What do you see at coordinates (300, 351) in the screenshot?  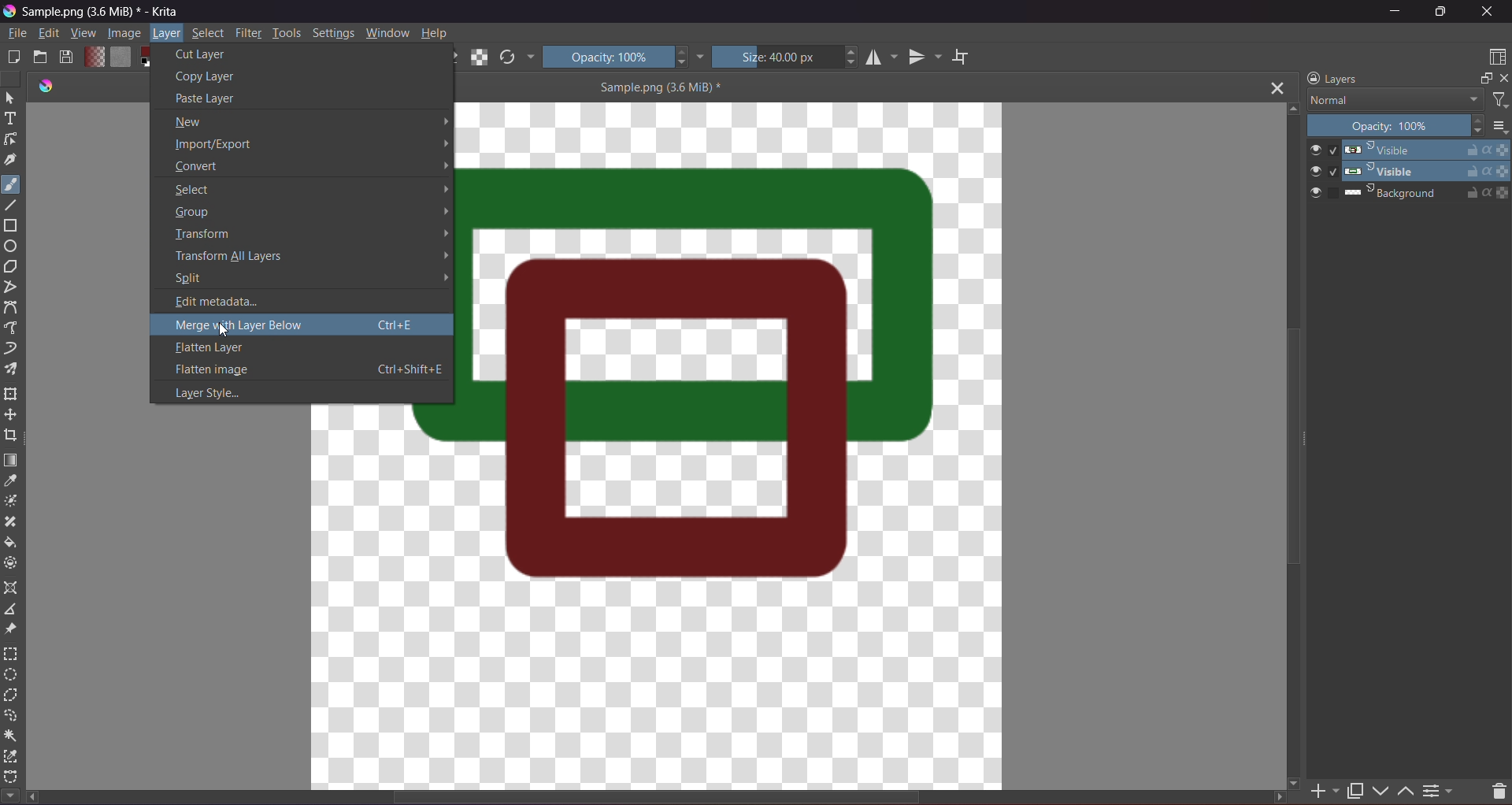 I see `Flatten layer` at bounding box center [300, 351].